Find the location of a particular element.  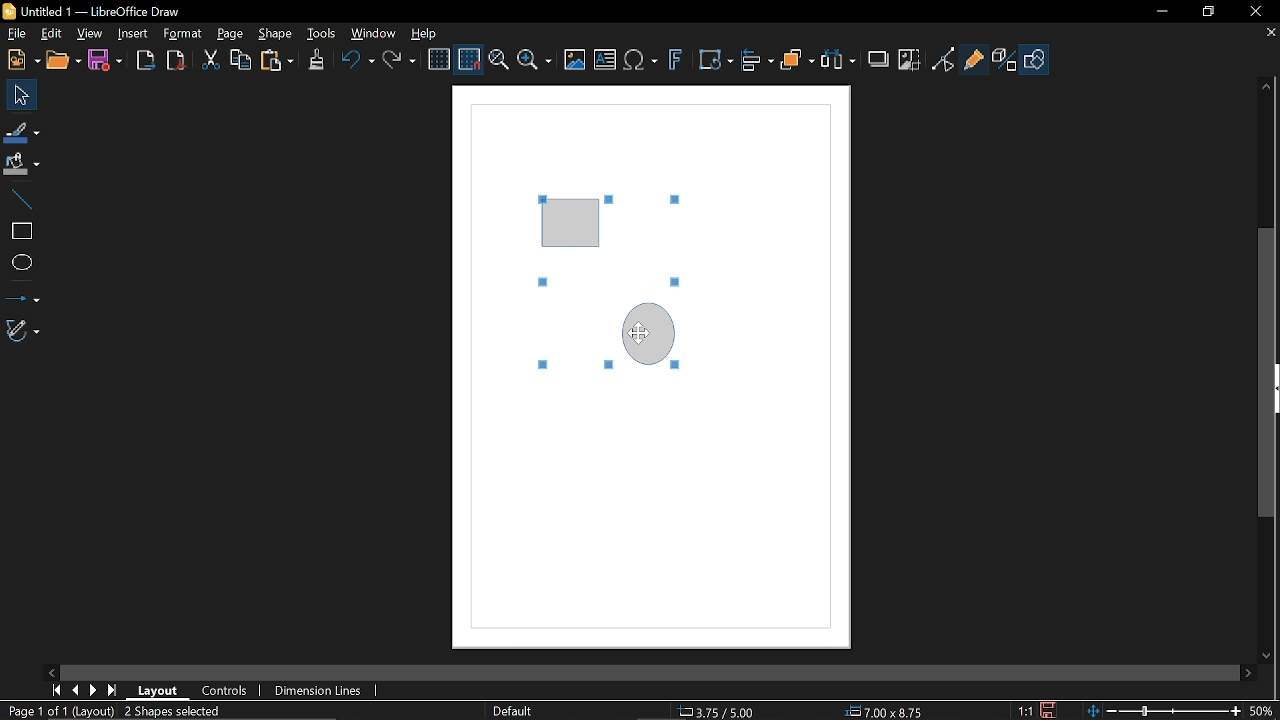

Vertical scrollbar is located at coordinates (1267, 374).